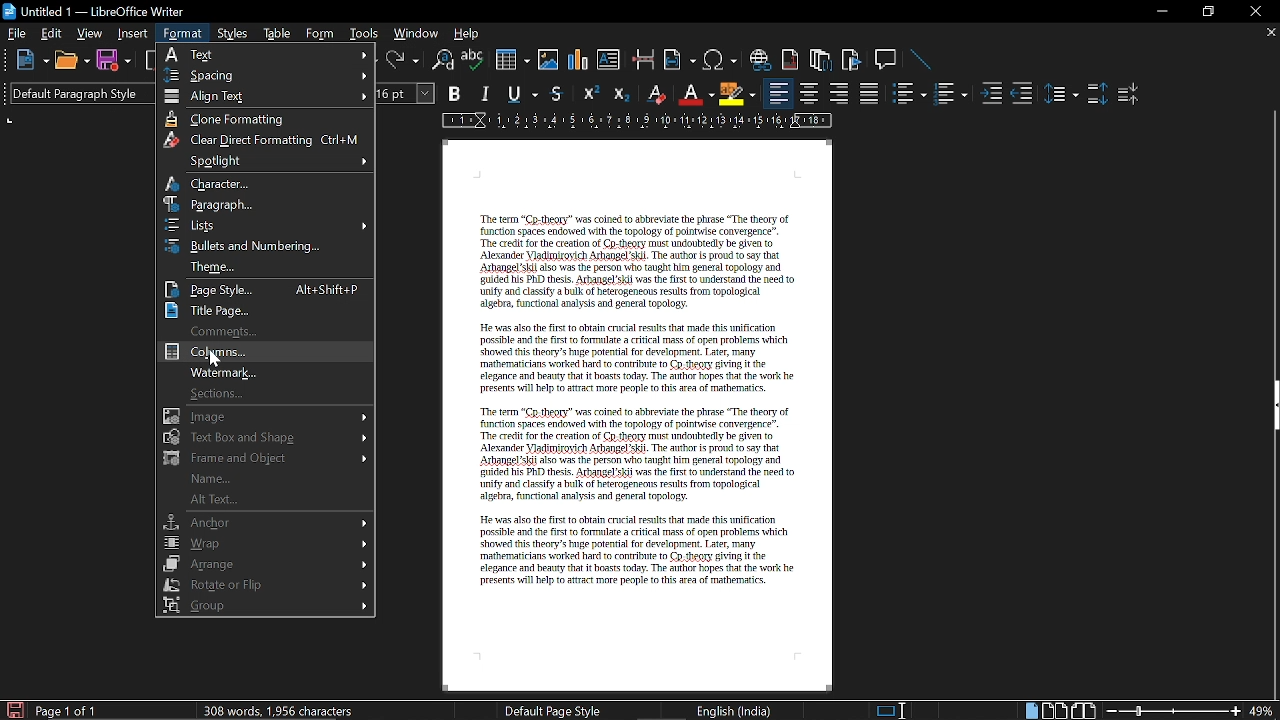 The width and height of the screenshot is (1280, 720). Describe the element at coordinates (1096, 93) in the screenshot. I see `Increase paragraph spacing` at that location.